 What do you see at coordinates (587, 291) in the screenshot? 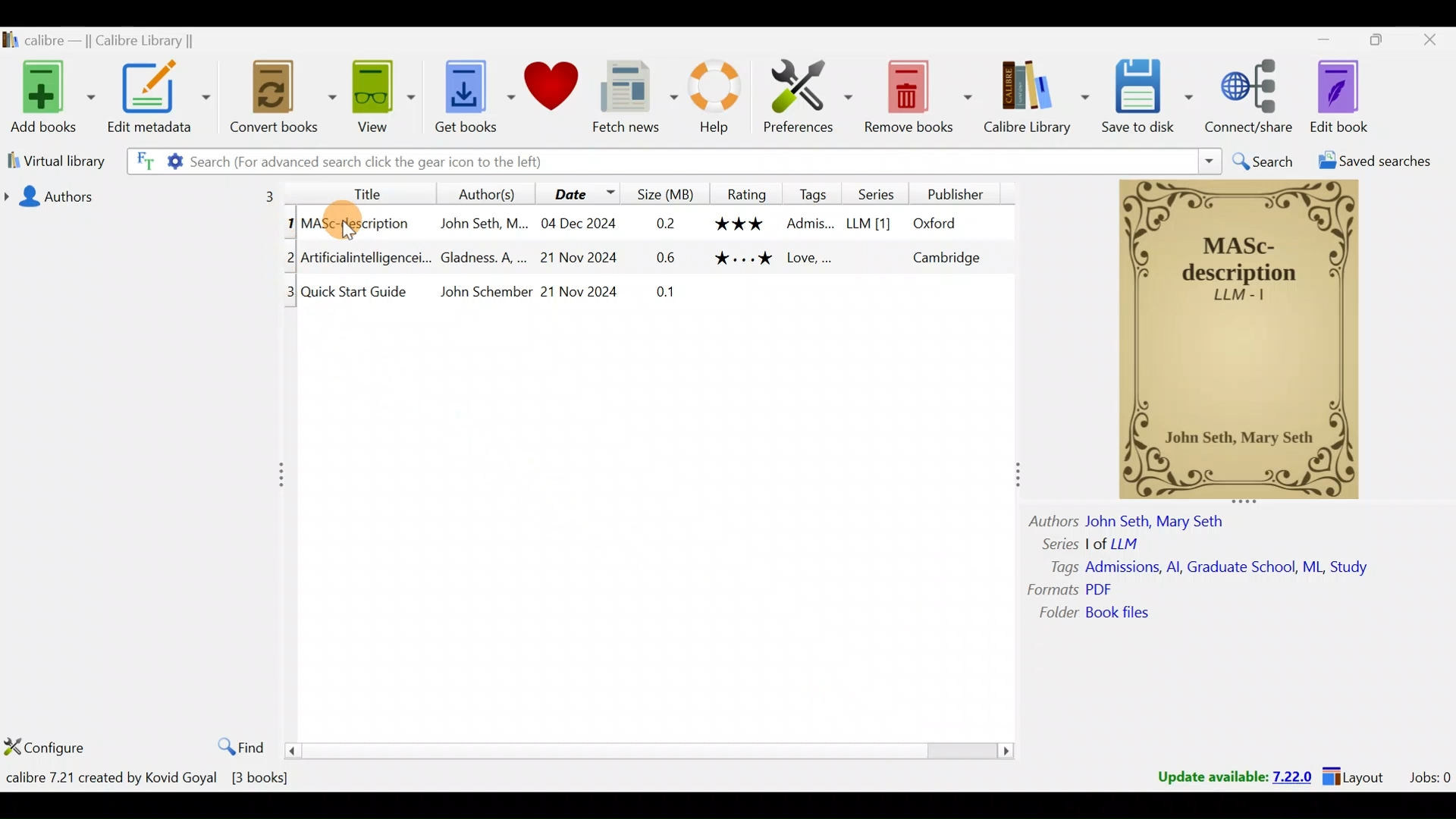
I see `` at bounding box center [587, 291].